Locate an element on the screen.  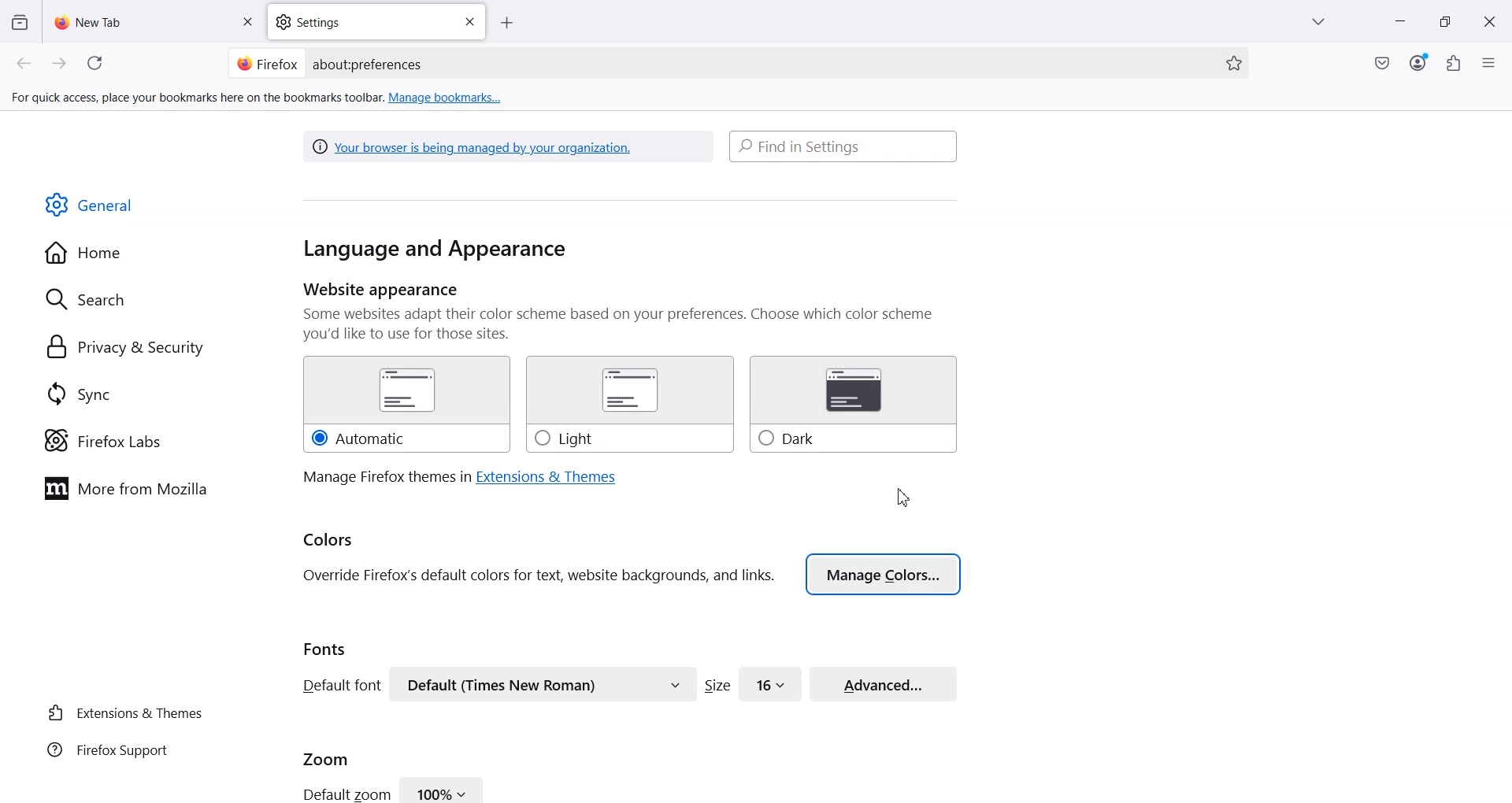
Search Bar is located at coordinates (736, 63).